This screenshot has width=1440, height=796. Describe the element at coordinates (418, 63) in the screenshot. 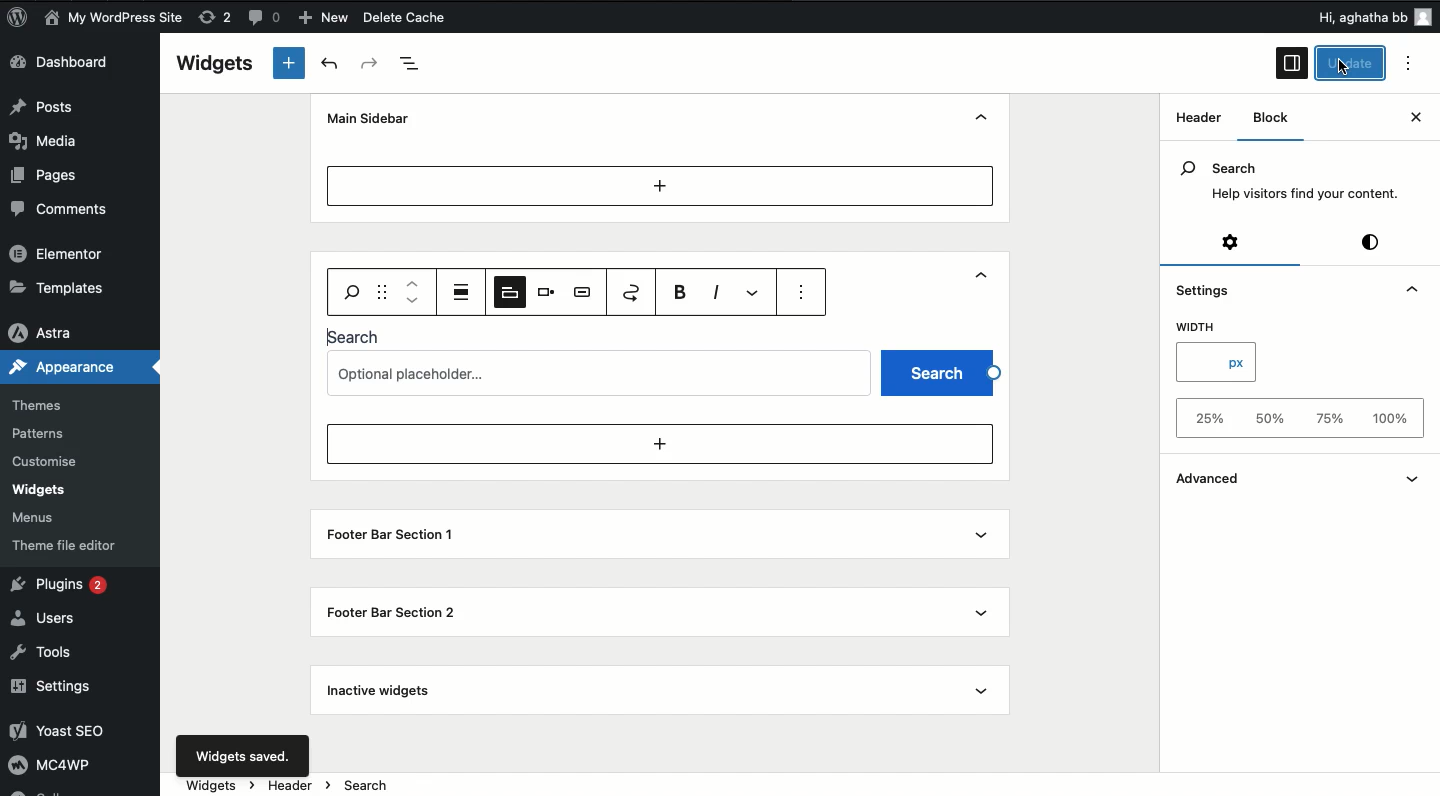

I see `Document overview` at that location.